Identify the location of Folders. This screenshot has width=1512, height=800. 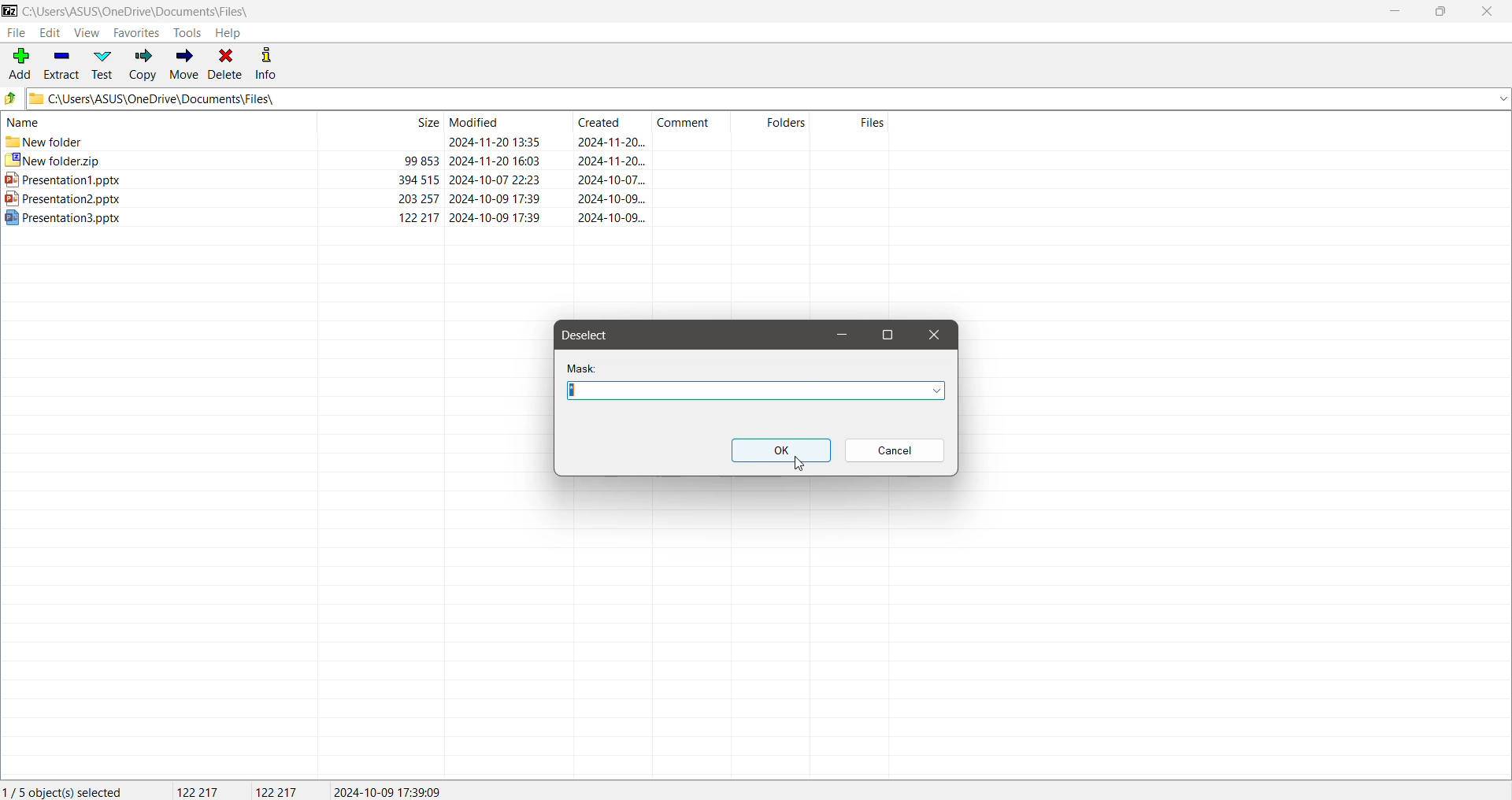
(773, 122).